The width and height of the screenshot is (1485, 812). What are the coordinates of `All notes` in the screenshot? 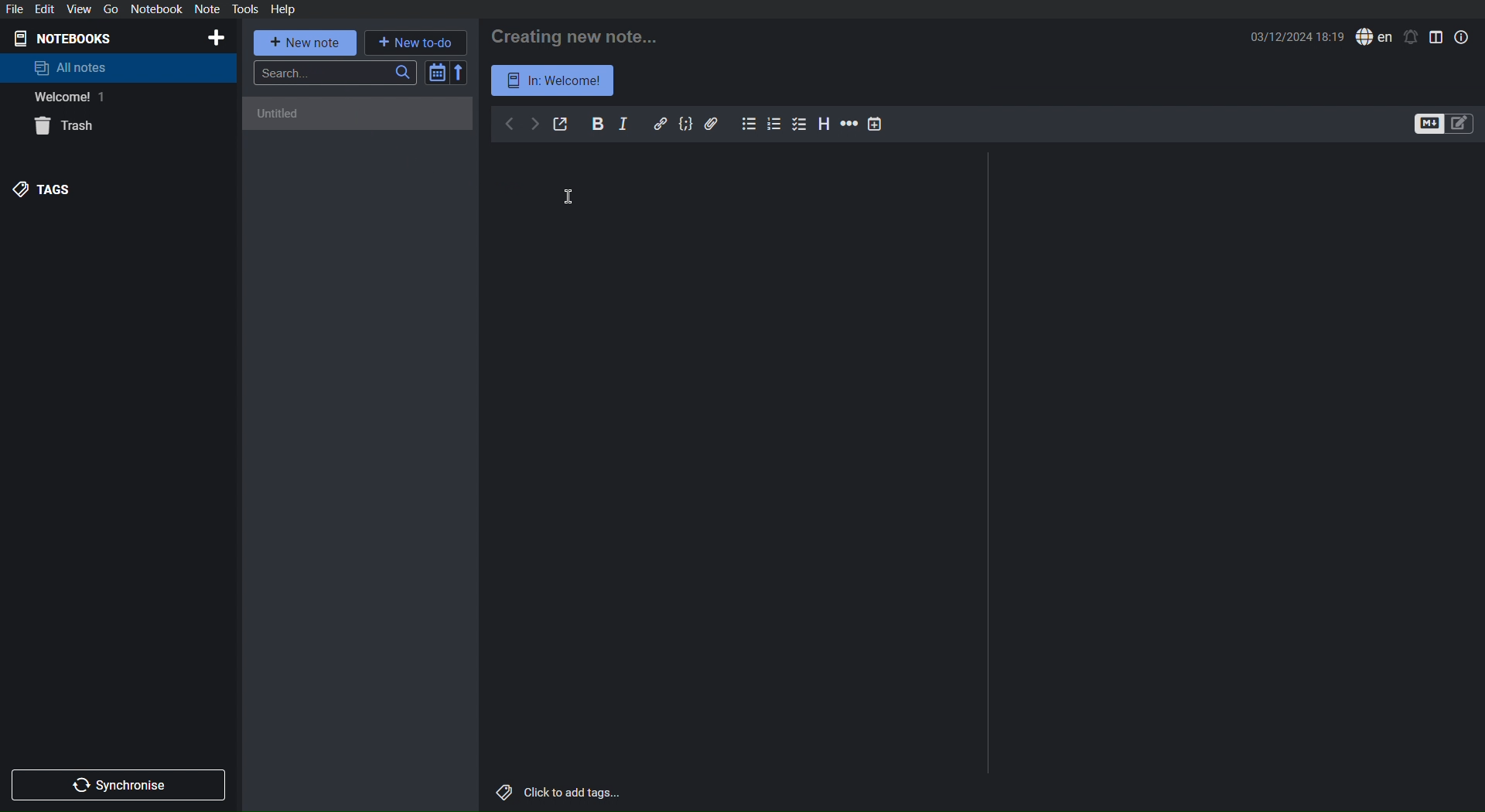 It's located at (71, 67).